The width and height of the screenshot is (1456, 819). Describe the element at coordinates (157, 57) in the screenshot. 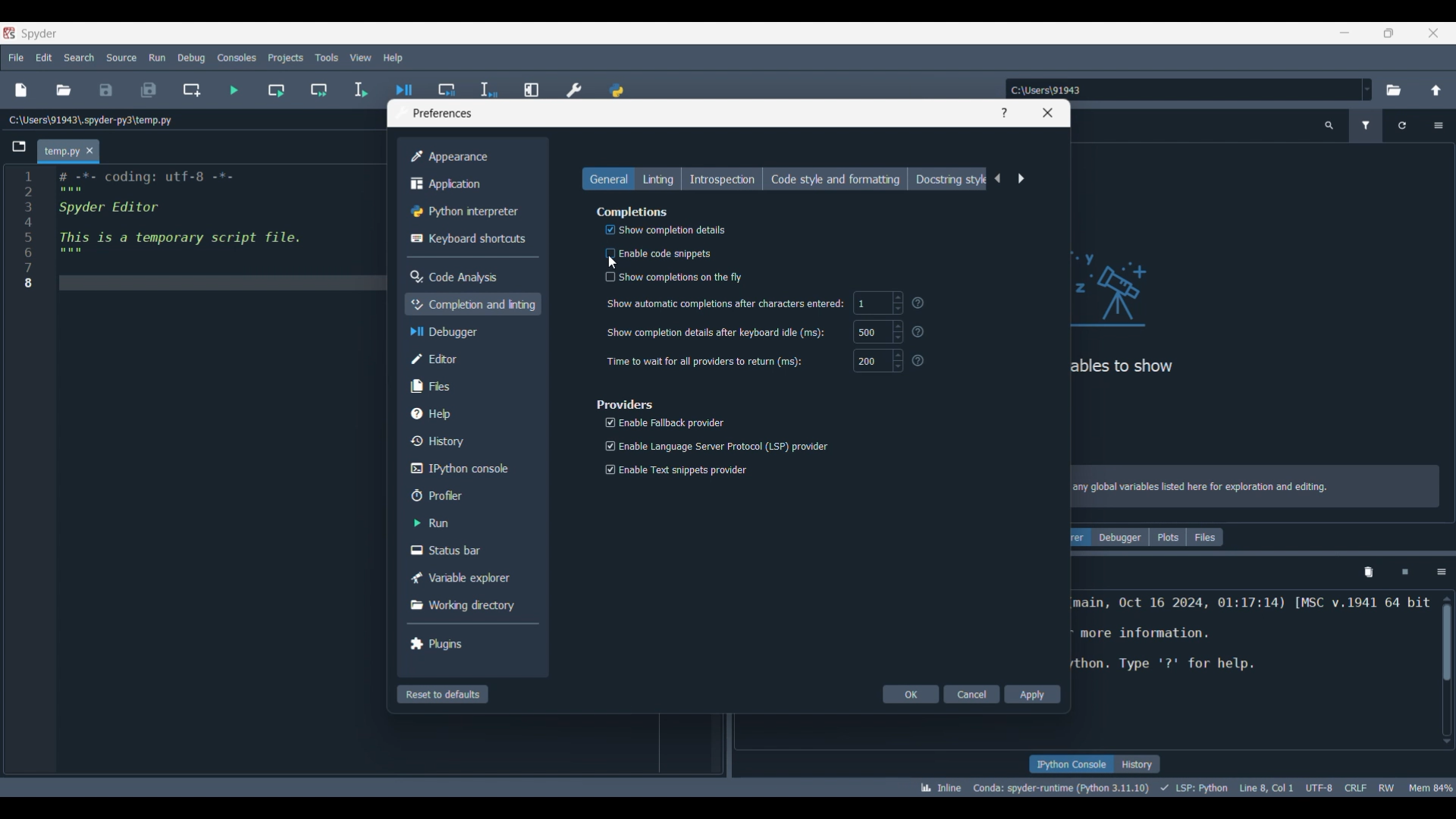

I see `Run menu` at that location.